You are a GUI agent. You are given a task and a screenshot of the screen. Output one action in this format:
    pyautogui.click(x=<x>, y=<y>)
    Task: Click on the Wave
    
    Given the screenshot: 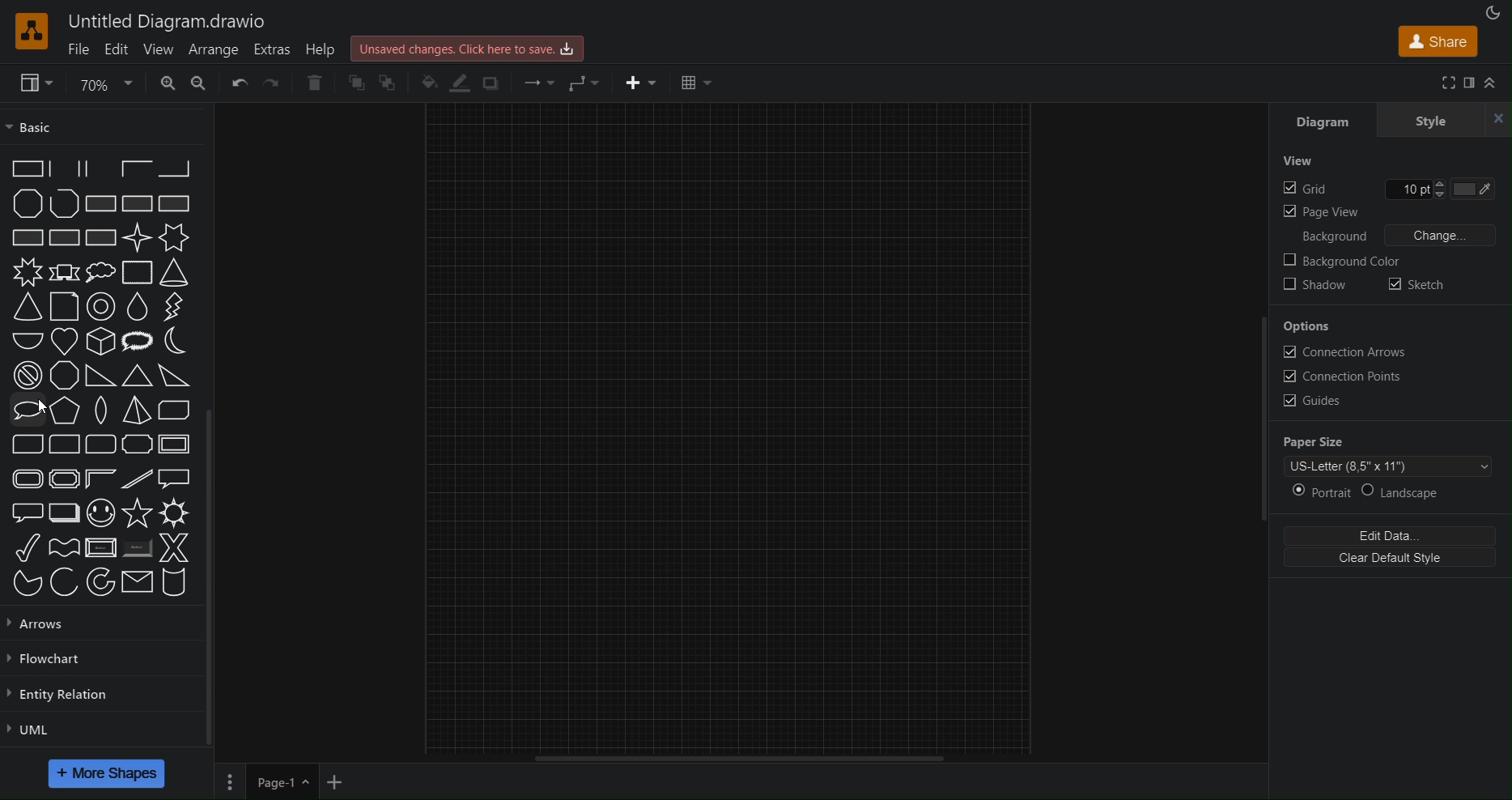 What is the action you would take?
    pyautogui.click(x=63, y=547)
    